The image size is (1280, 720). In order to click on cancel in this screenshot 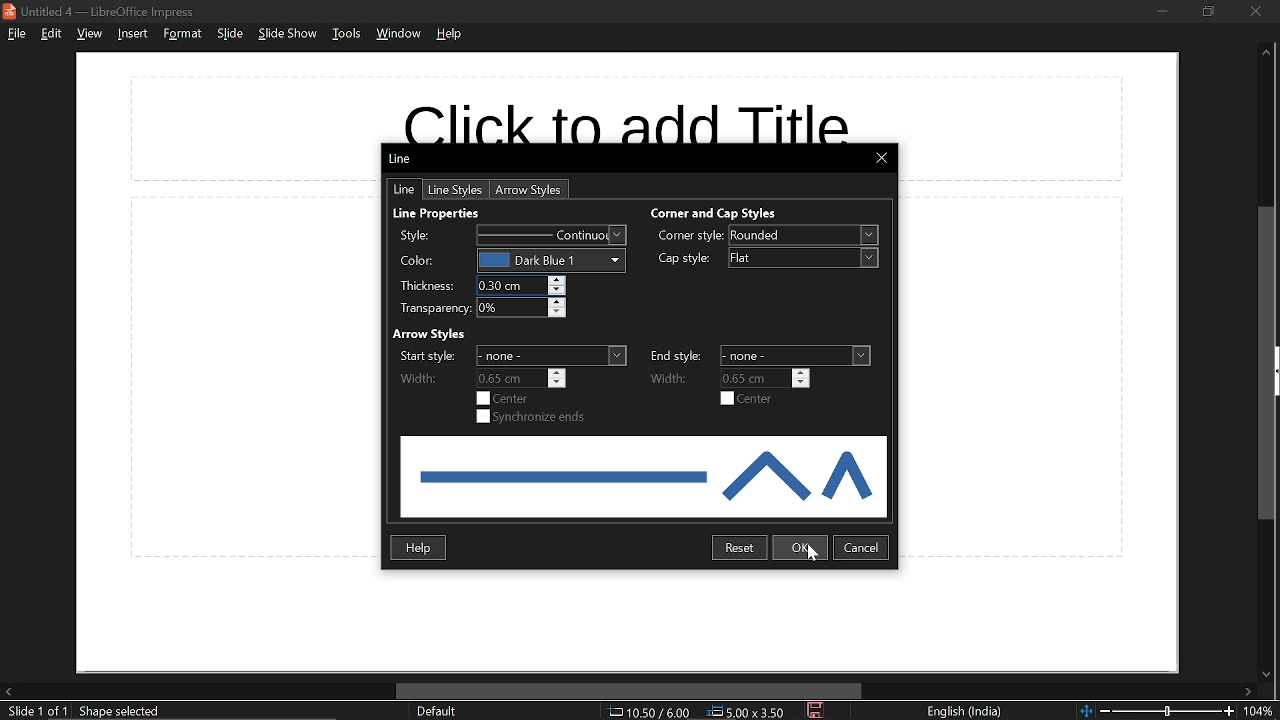, I will do `click(862, 548)`.